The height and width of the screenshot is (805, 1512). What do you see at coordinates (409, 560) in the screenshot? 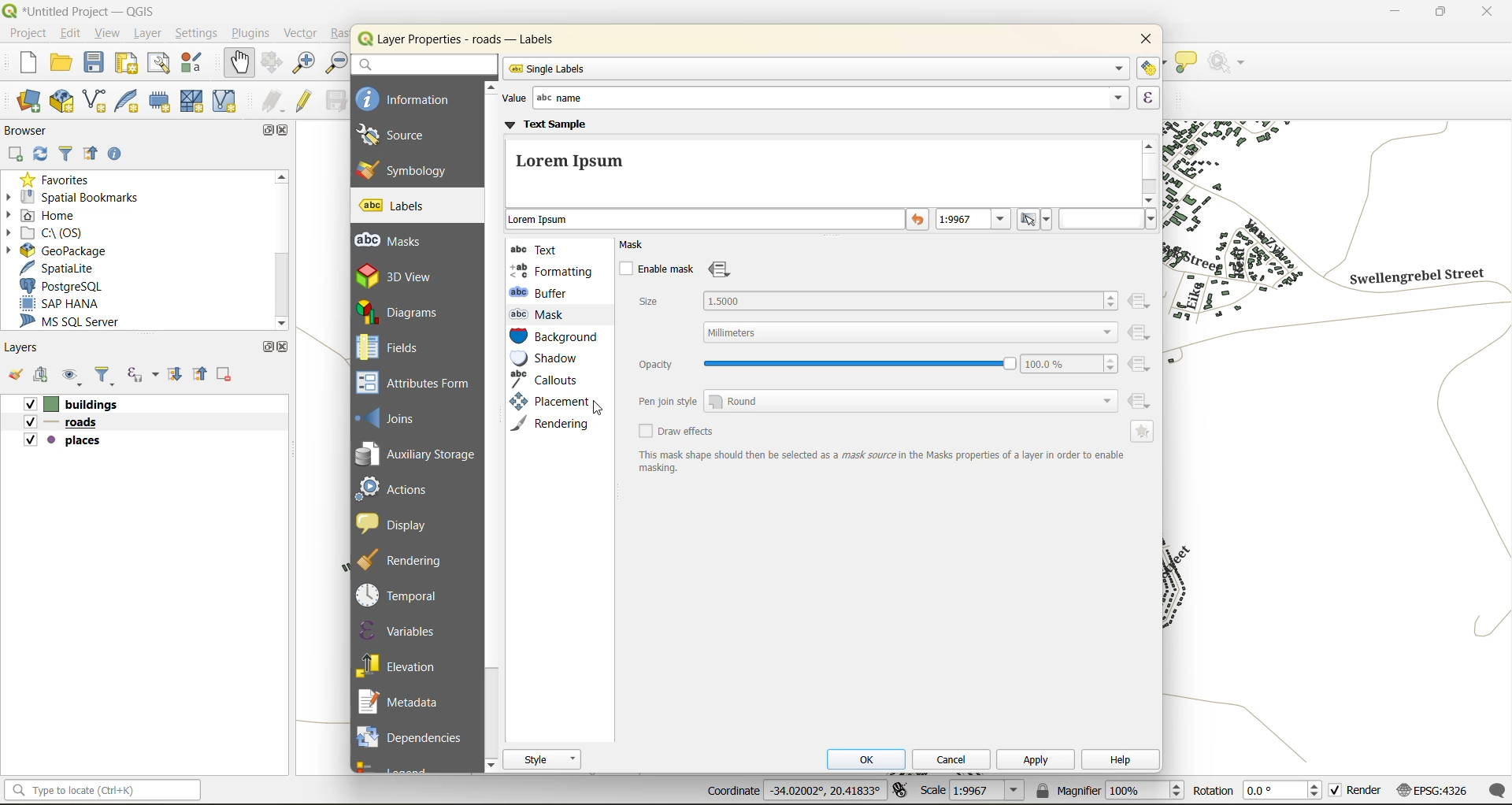
I see `rendering` at bounding box center [409, 560].